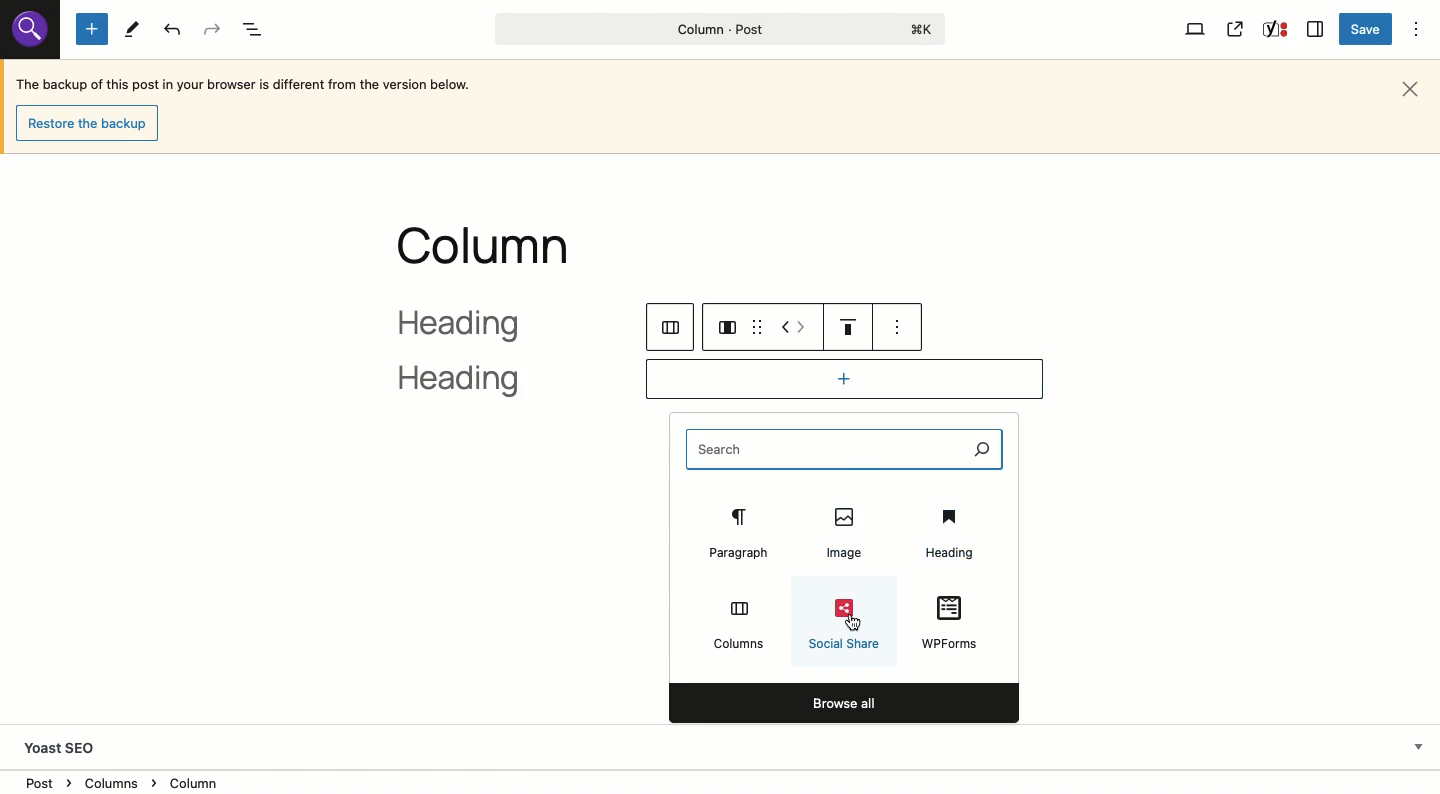 The width and height of the screenshot is (1440, 794). Describe the element at coordinates (245, 87) in the screenshot. I see `The backup of this post in your browser is different from the version below.` at that location.